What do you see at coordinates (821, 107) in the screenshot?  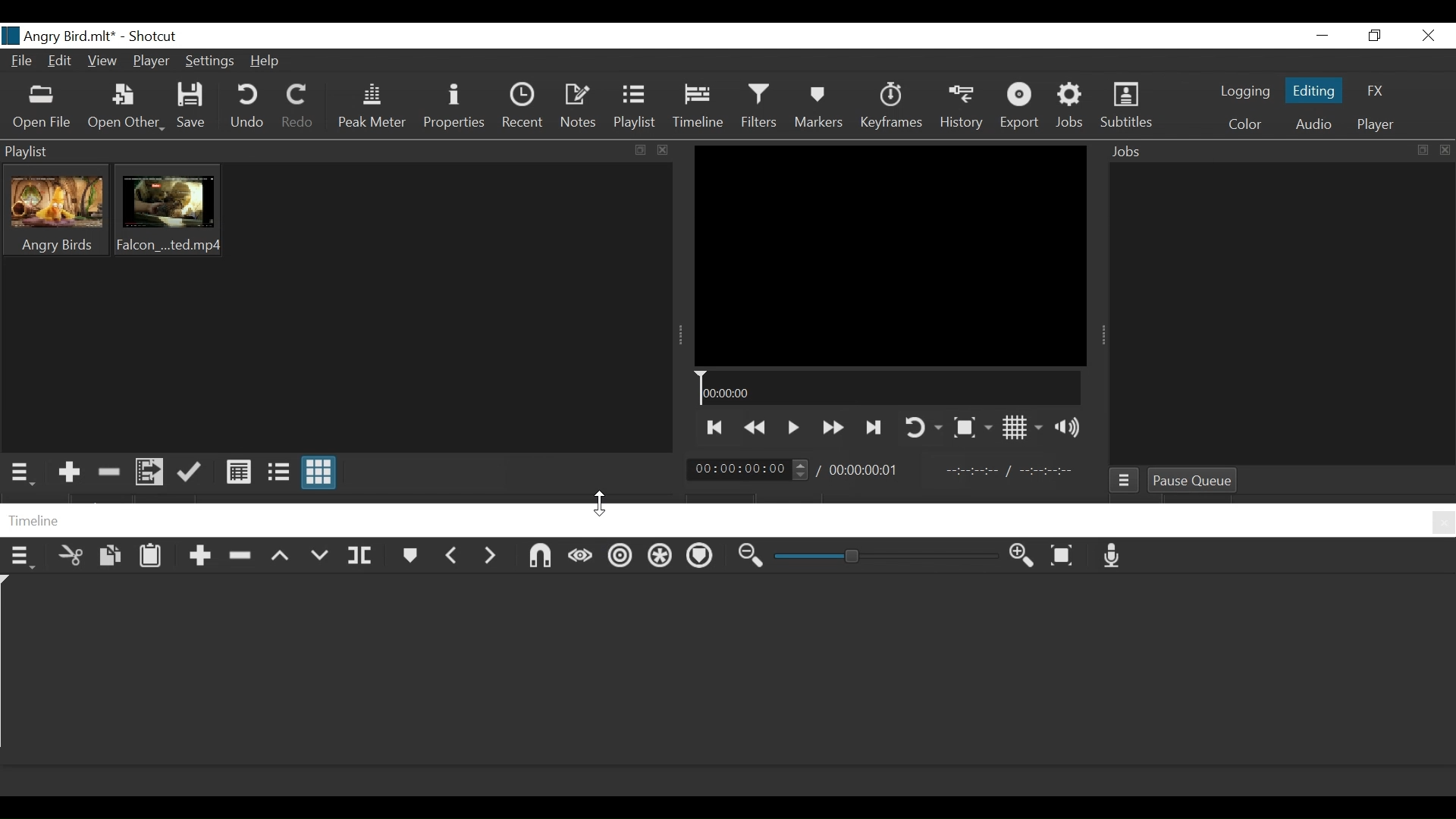 I see `Markers` at bounding box center [821, 107].